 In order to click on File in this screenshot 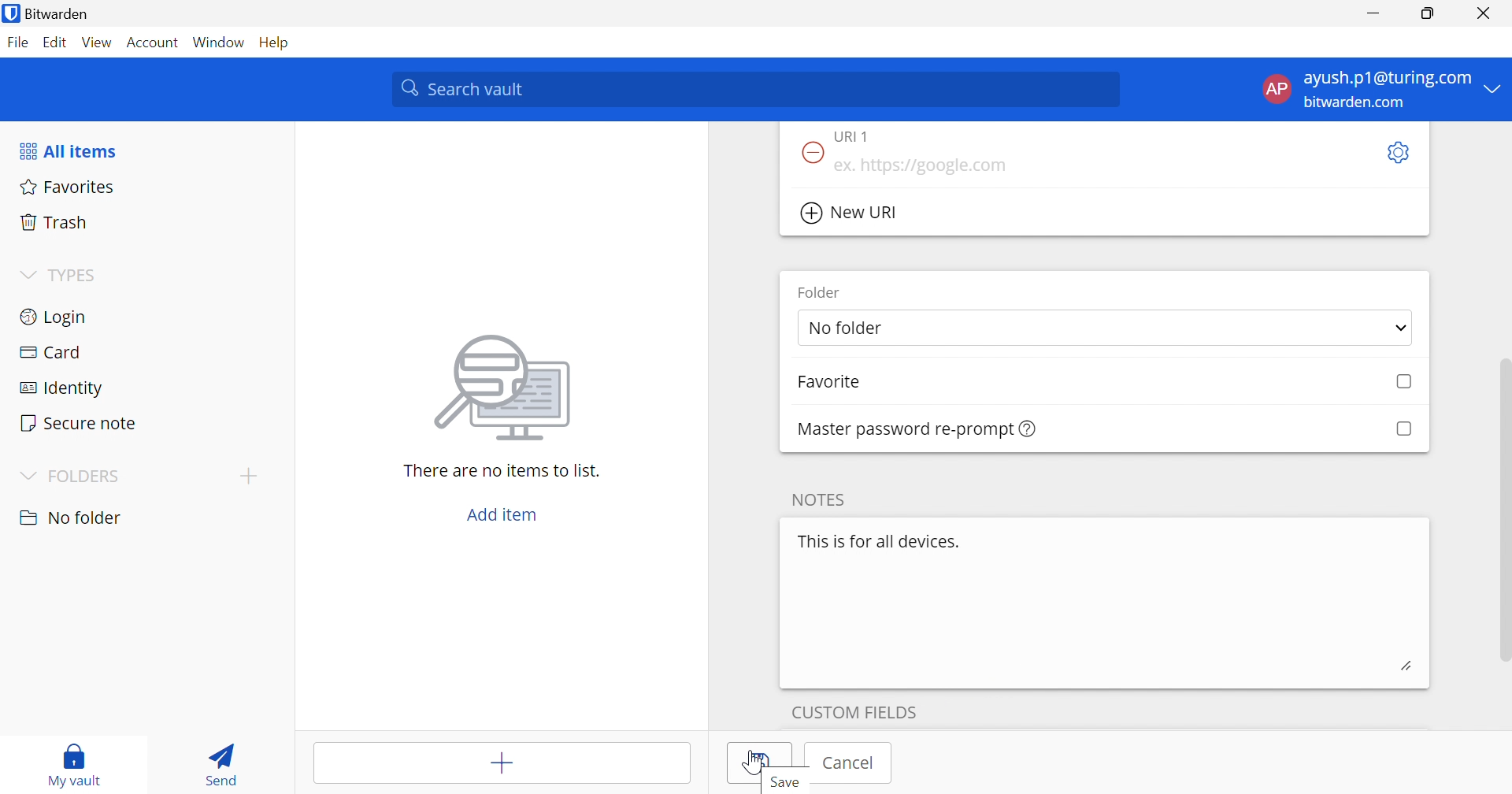, I will do `click(17, 42)`.